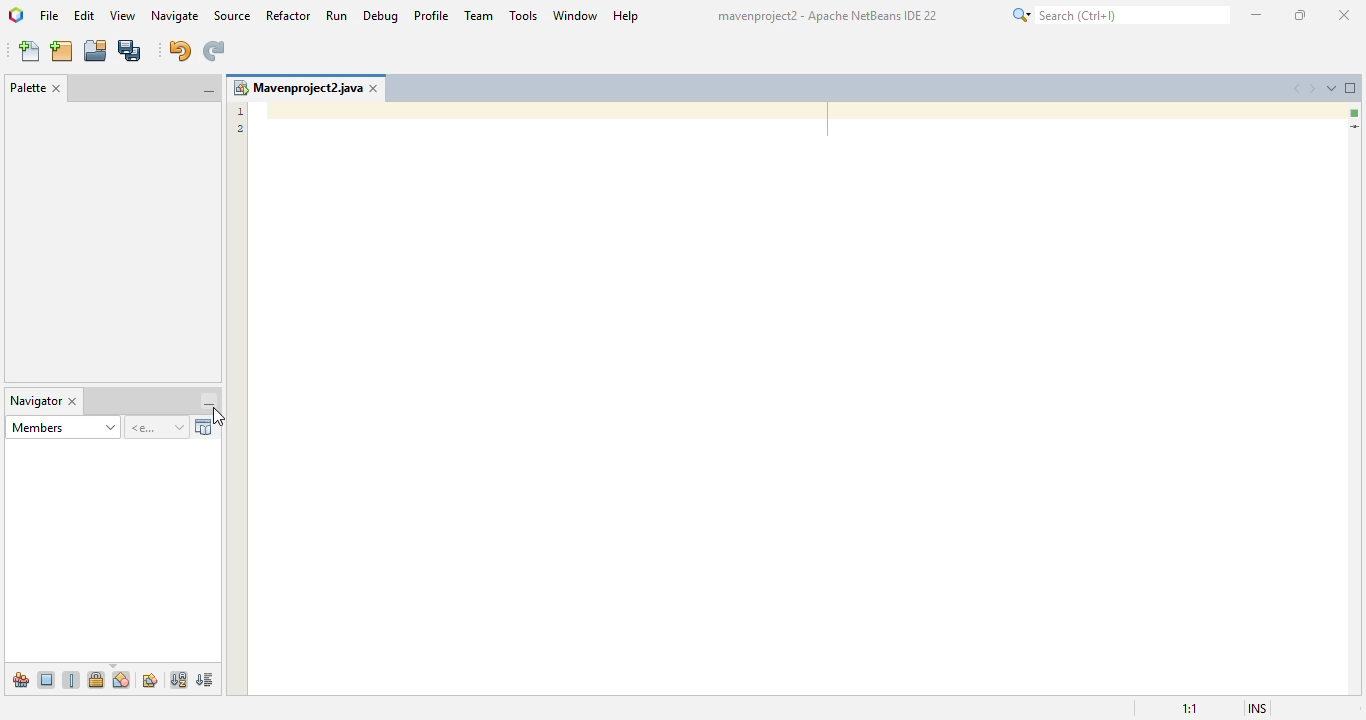 This screenshot has width=1366, height=720. I want to click on cursor, so click(219, 417).